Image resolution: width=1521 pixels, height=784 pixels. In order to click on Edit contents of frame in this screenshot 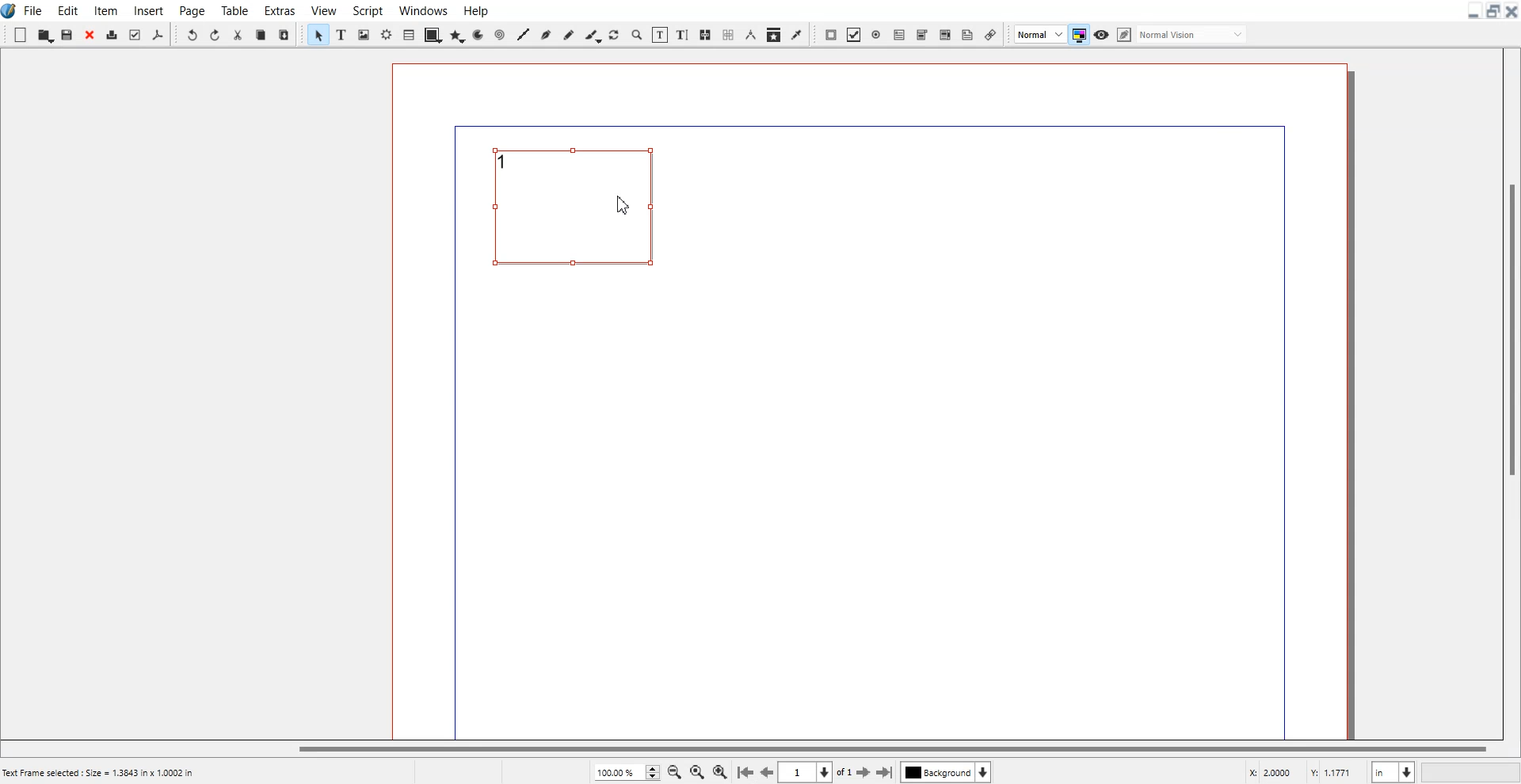, I will do `click(661, 35)`.